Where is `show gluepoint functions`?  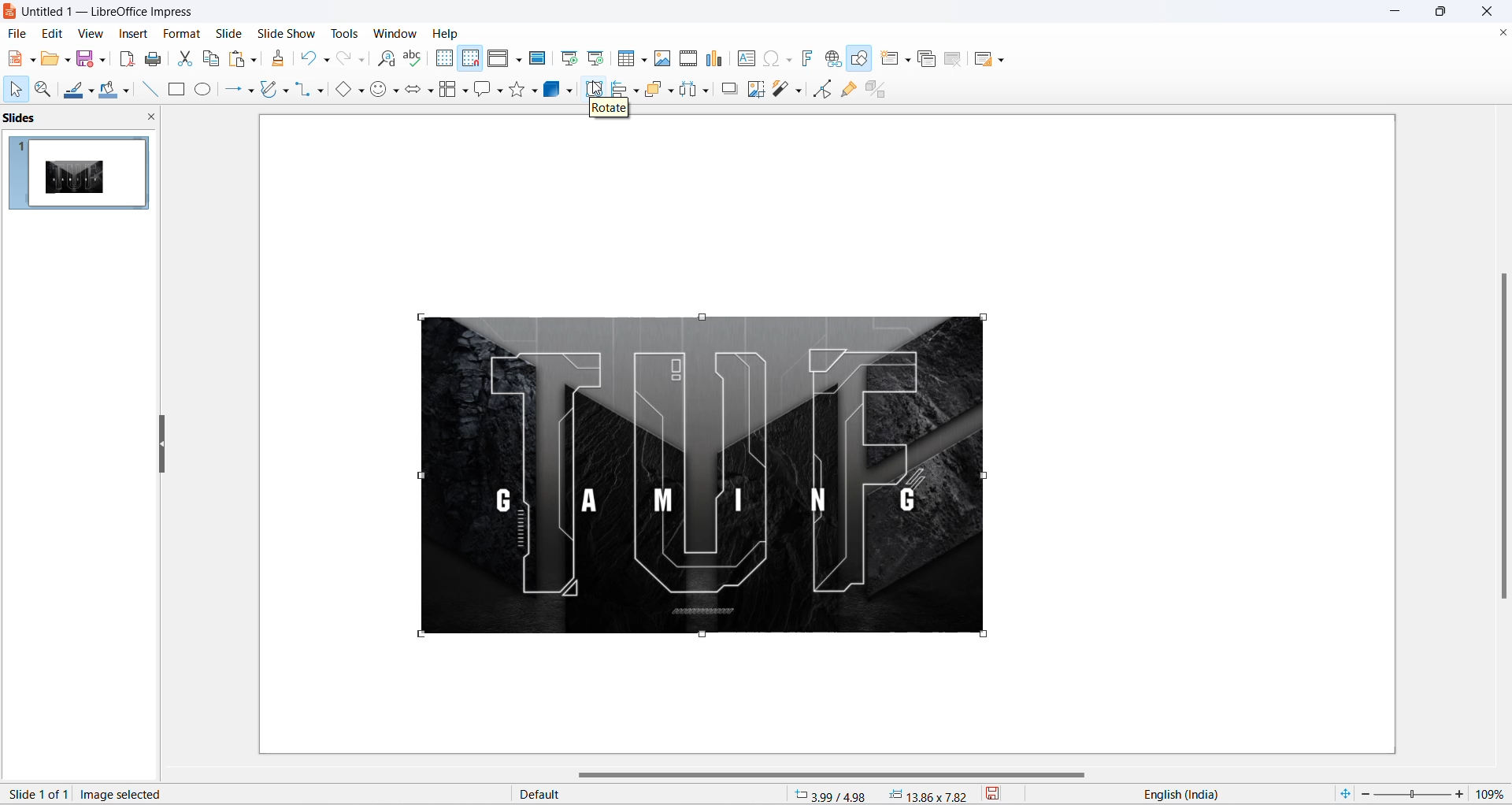
show gluepoint functions is located at coordinates (848, 89).